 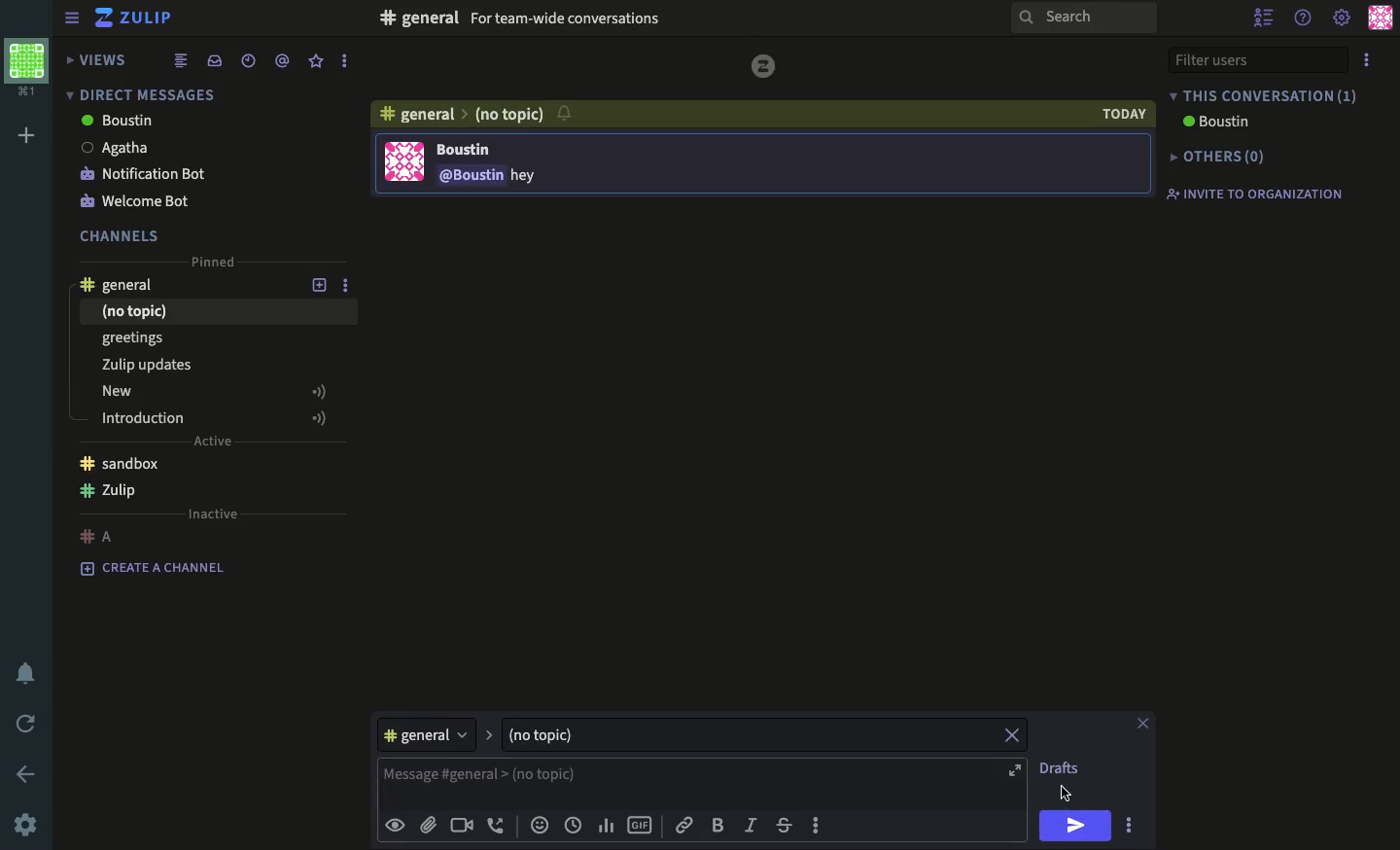 I want to click on options, so click(x=341, y=61).